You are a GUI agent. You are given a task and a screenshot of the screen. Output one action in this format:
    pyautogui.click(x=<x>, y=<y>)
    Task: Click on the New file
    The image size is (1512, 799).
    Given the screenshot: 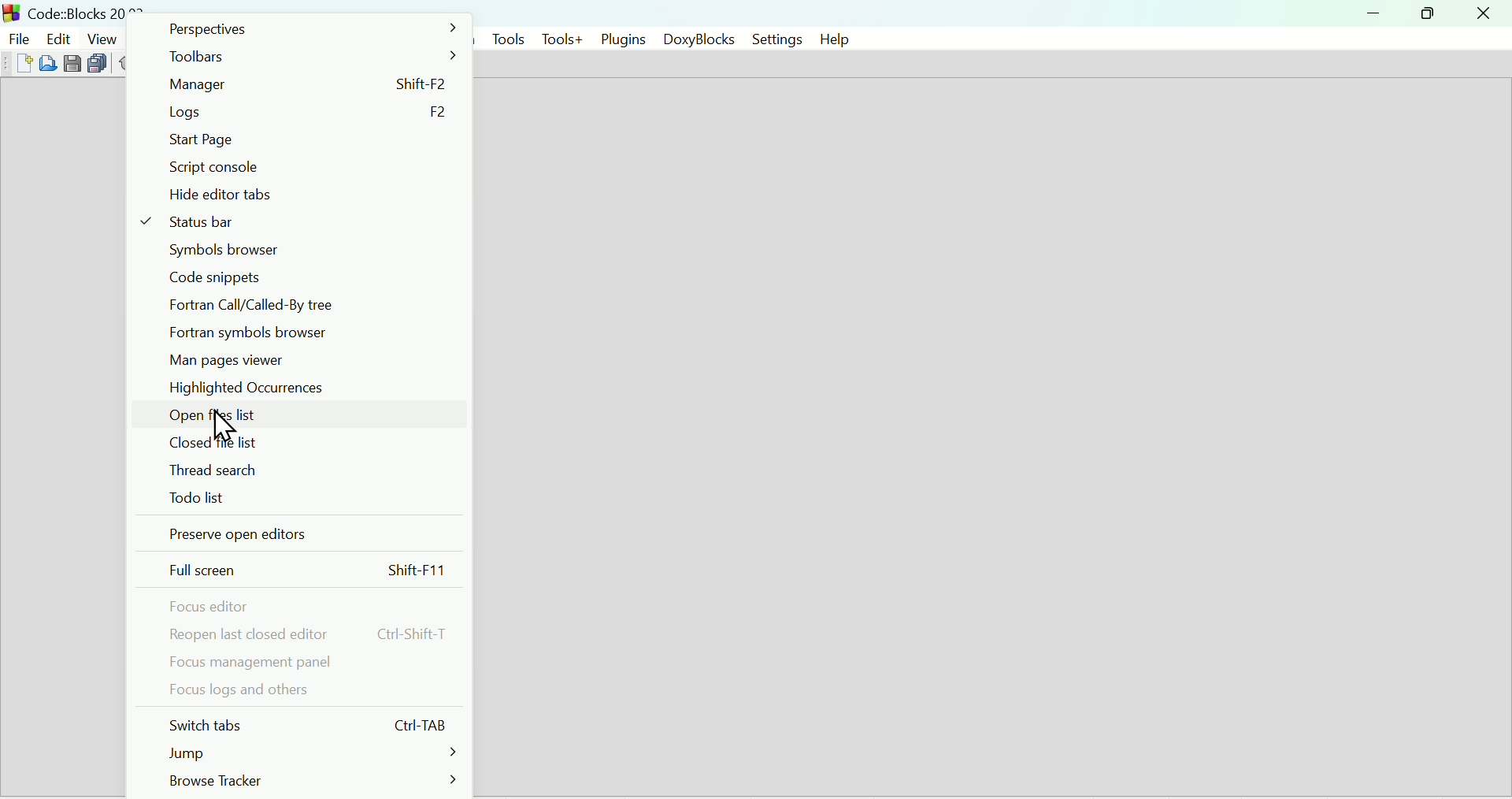 What is the action you would take?
    pyautogui.click(x=22, y=63)
    